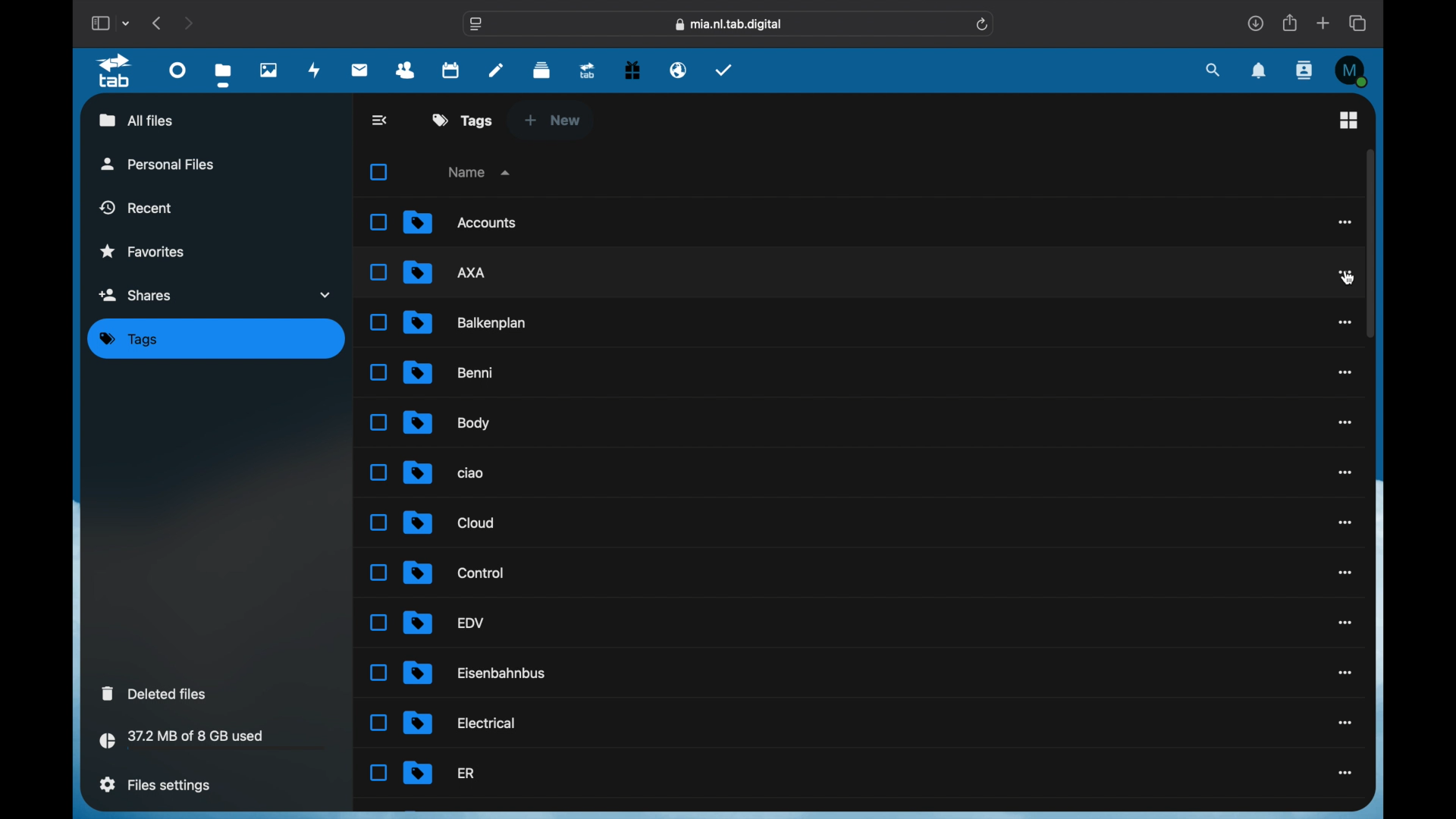  Describe the element at coordinates (99, 23) in the screenshot. I see `show sidebar` at that location.